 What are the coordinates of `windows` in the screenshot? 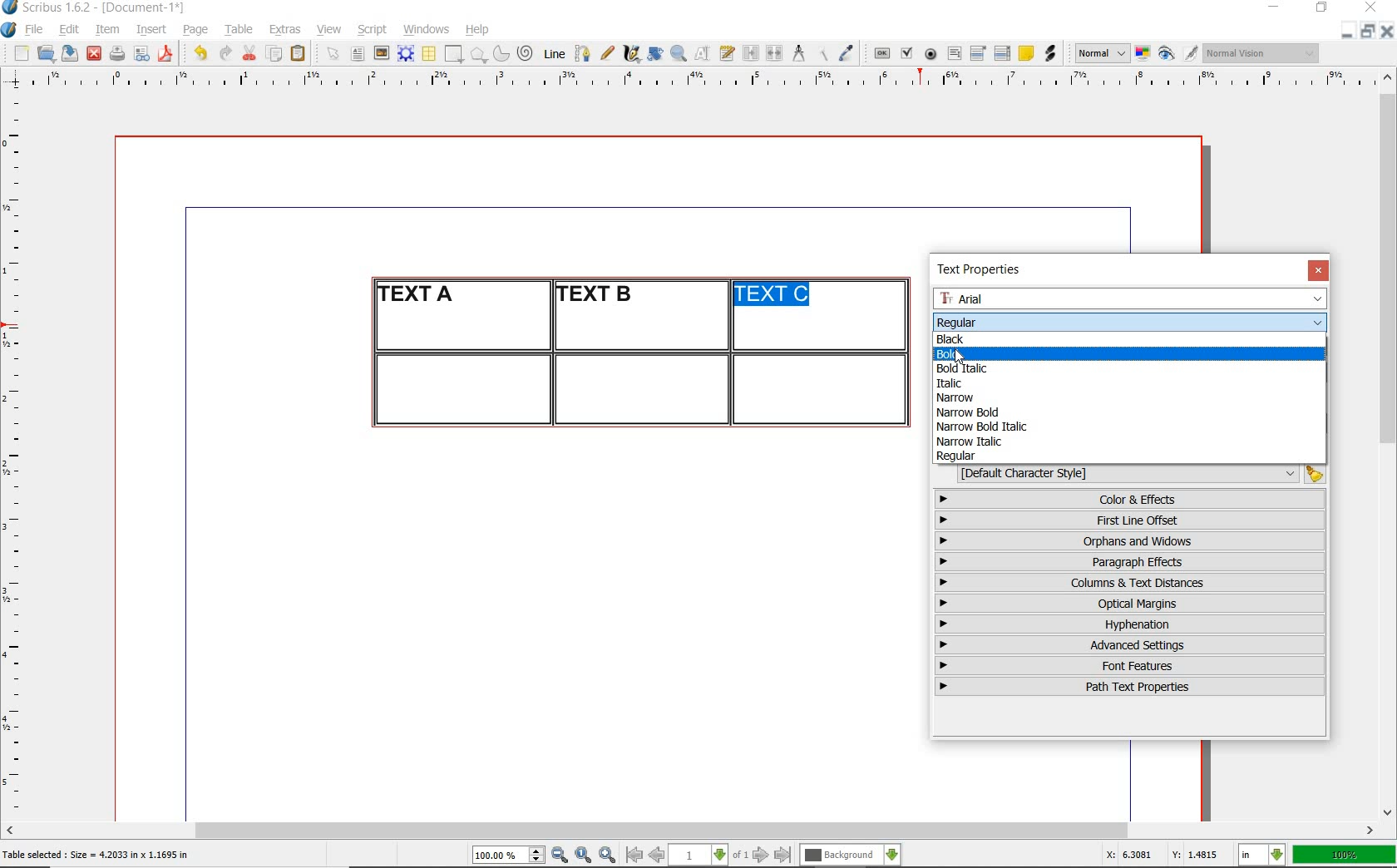 It's located at (427, 30).